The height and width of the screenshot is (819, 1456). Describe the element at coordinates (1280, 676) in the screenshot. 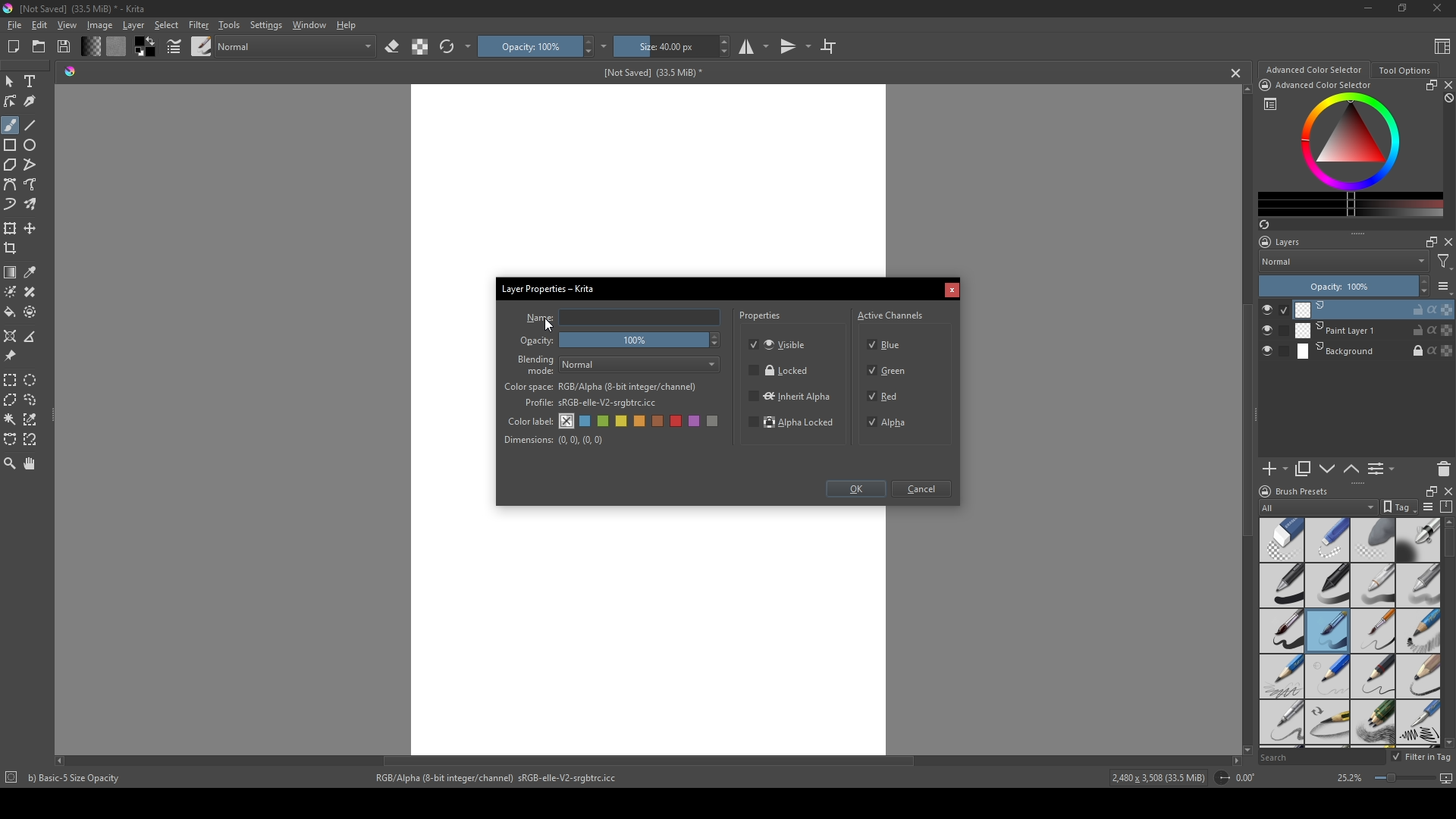

I see `pencil` at that location.